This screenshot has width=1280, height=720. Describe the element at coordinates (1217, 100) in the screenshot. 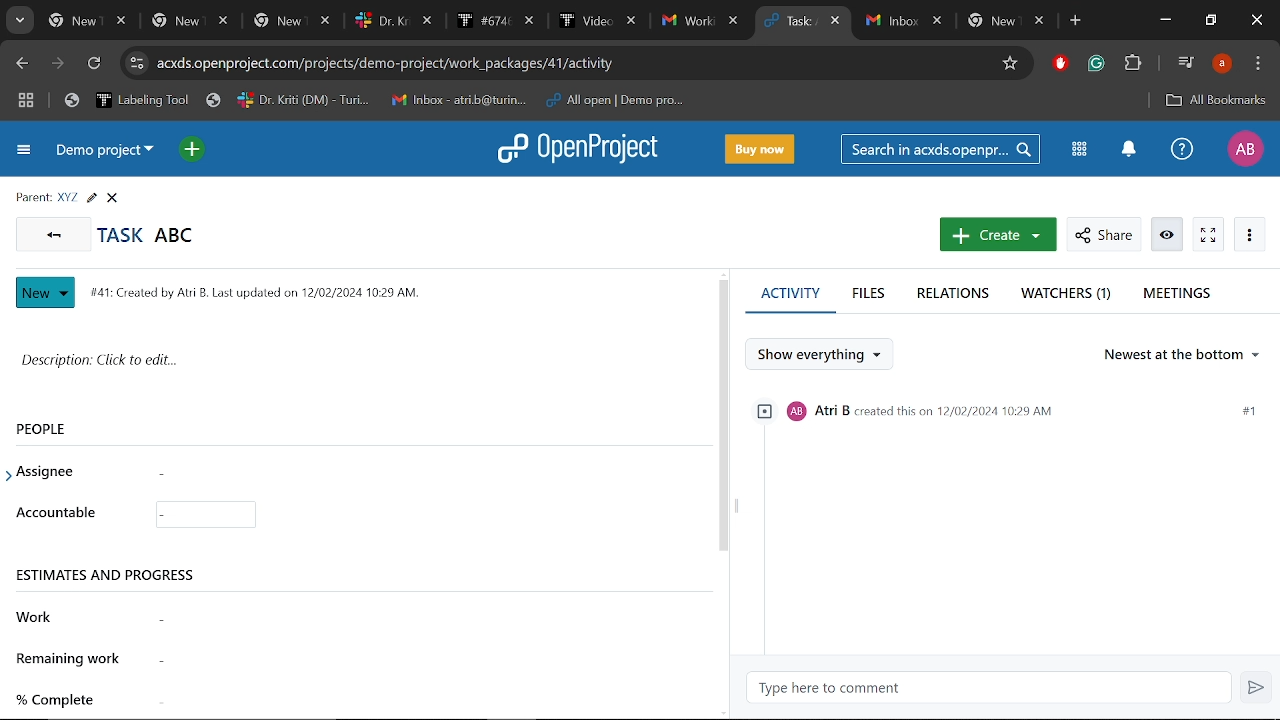

I see `All bookmarks` at that location.